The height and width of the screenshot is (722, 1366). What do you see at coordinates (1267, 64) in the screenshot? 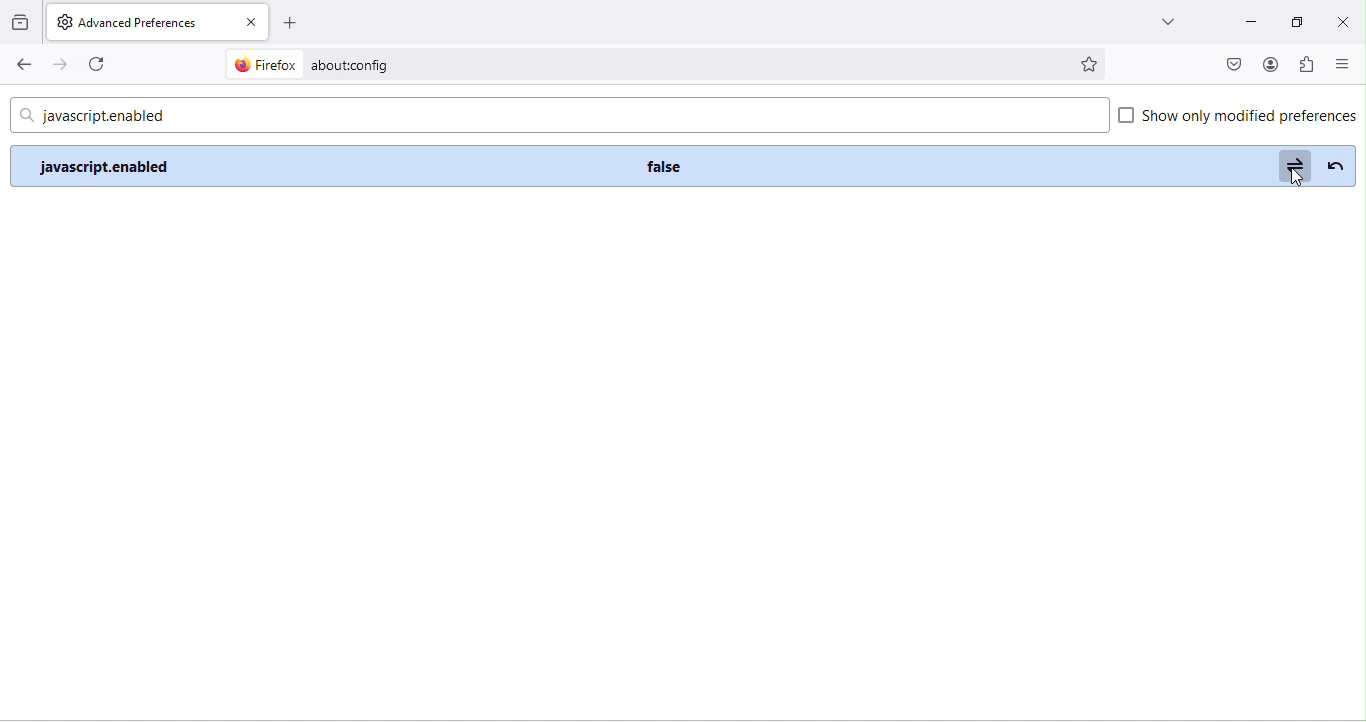
I see `account` at bounding box center [1267, 64].